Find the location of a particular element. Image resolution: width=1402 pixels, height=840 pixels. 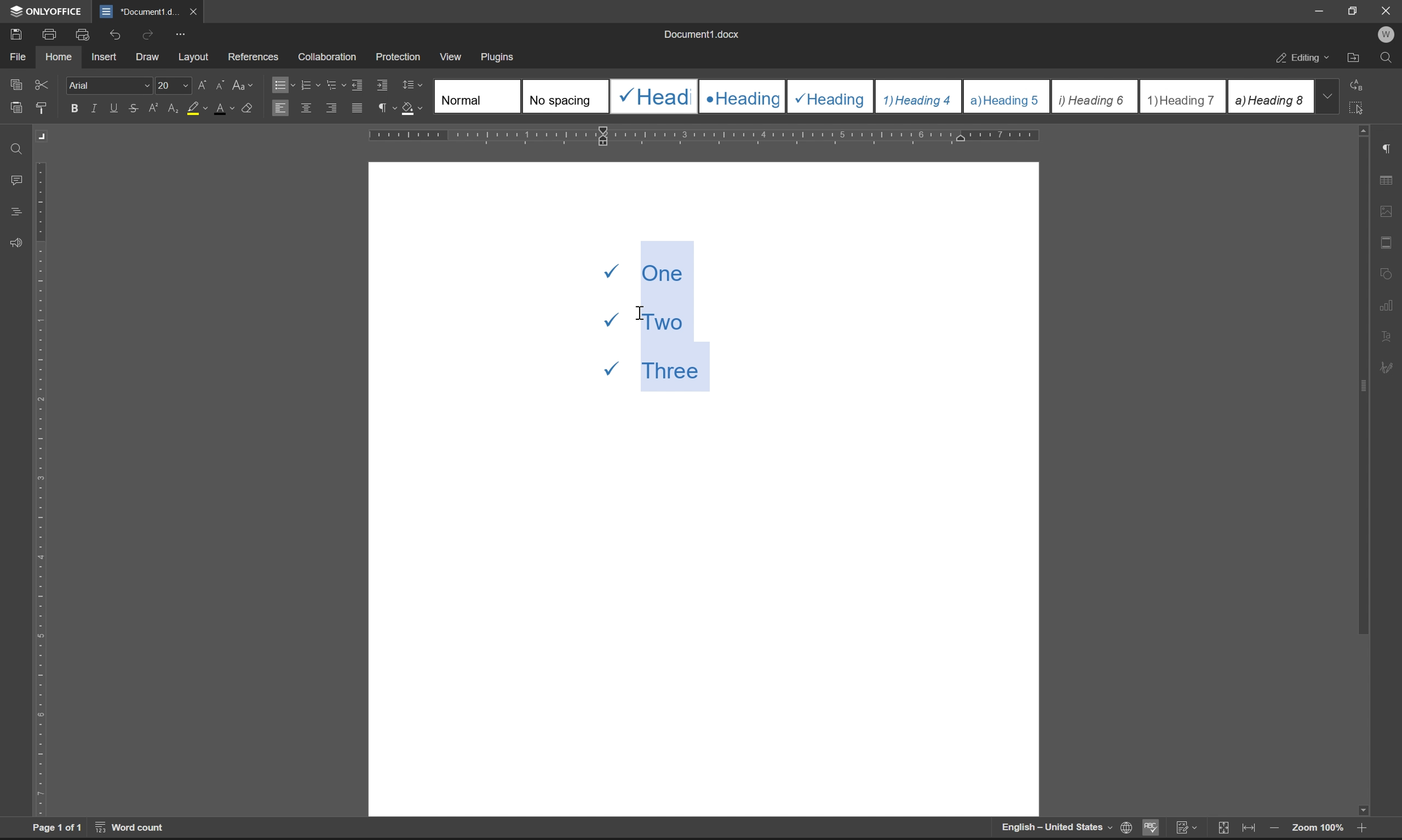

Heading 3 is located at coordinates (831, 97).